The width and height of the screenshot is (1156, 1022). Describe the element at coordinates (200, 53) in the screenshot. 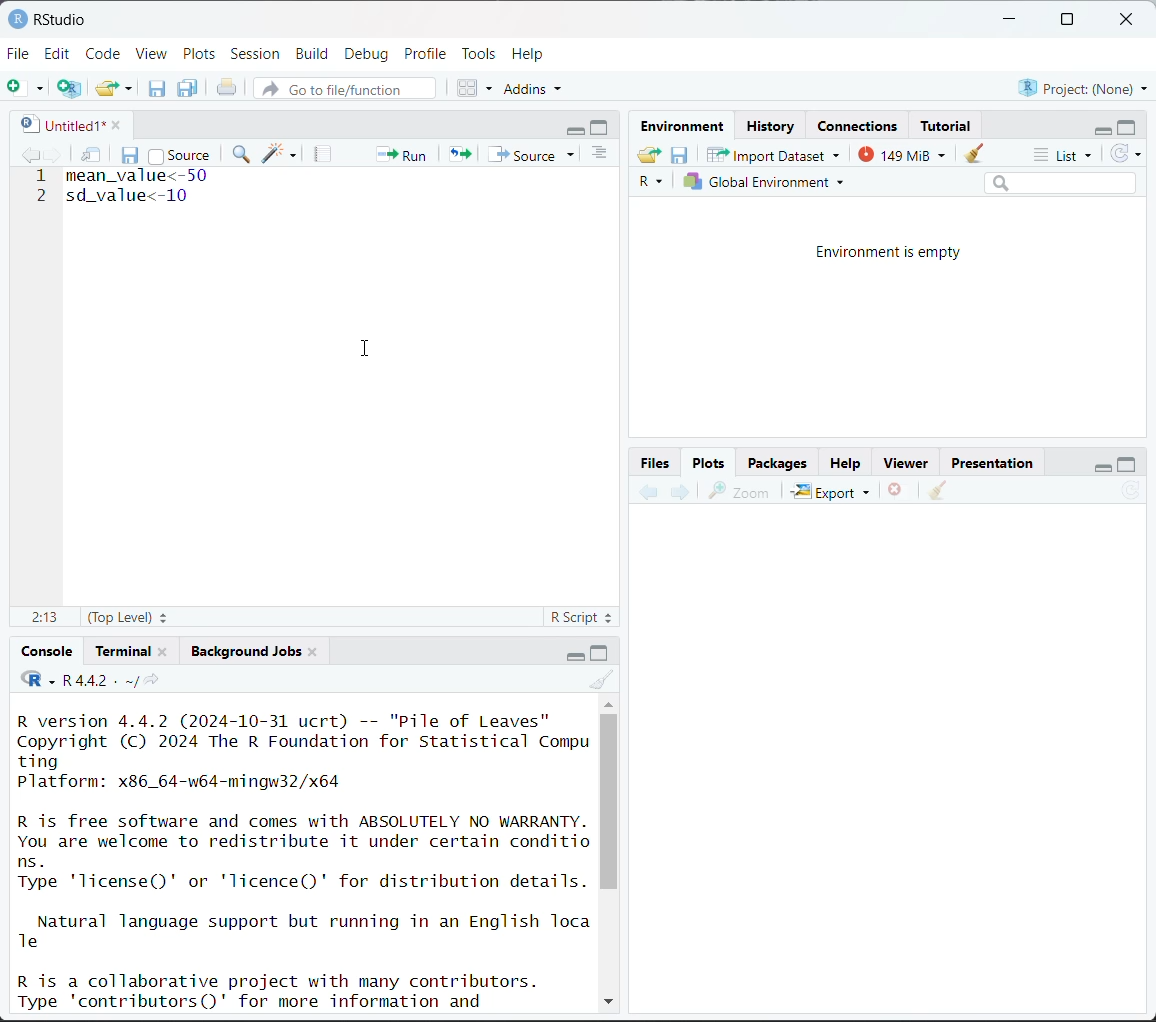

I see `Plots` at that location.